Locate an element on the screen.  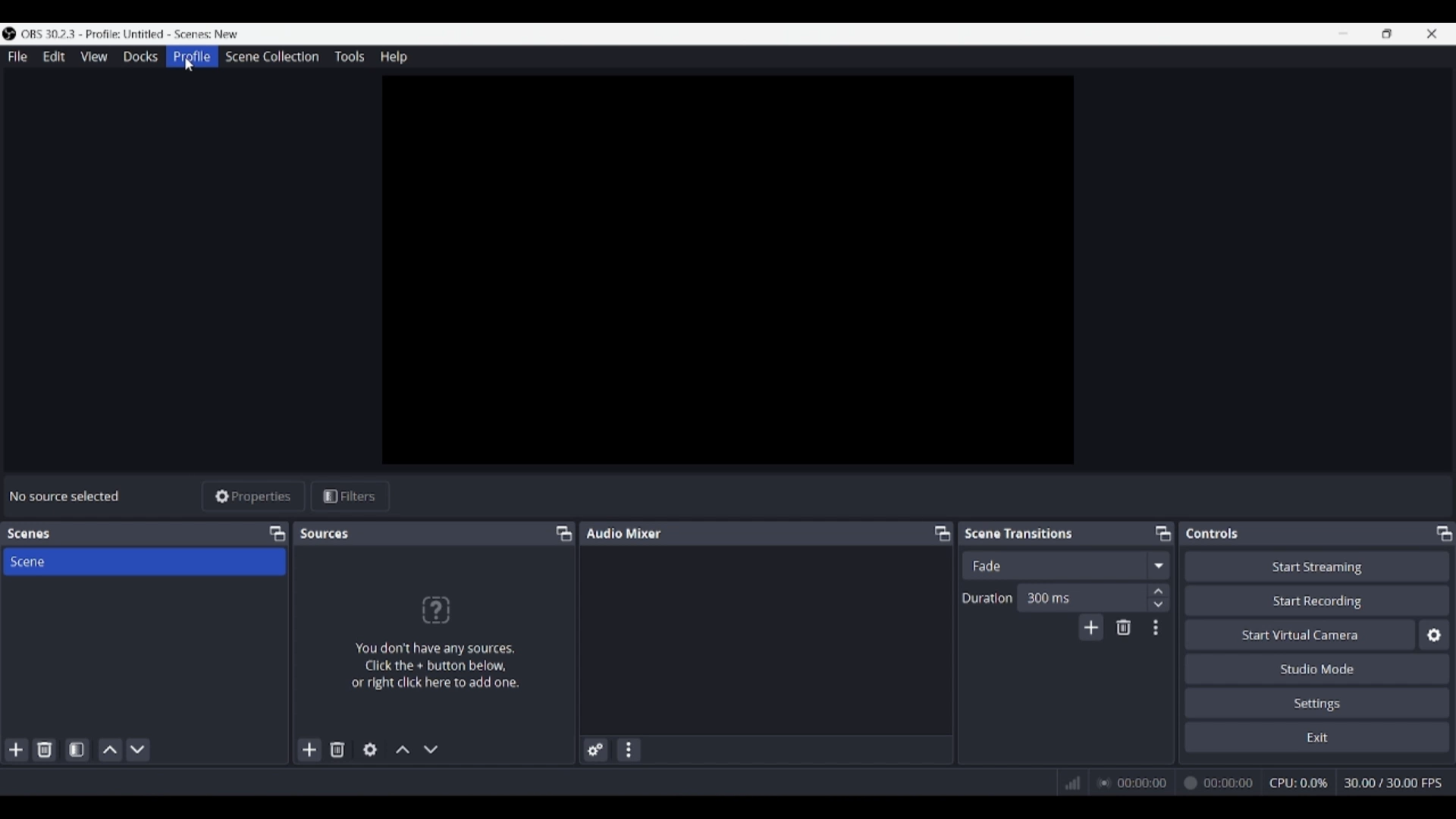
Remove selected source is located at coordinates (337, 749).